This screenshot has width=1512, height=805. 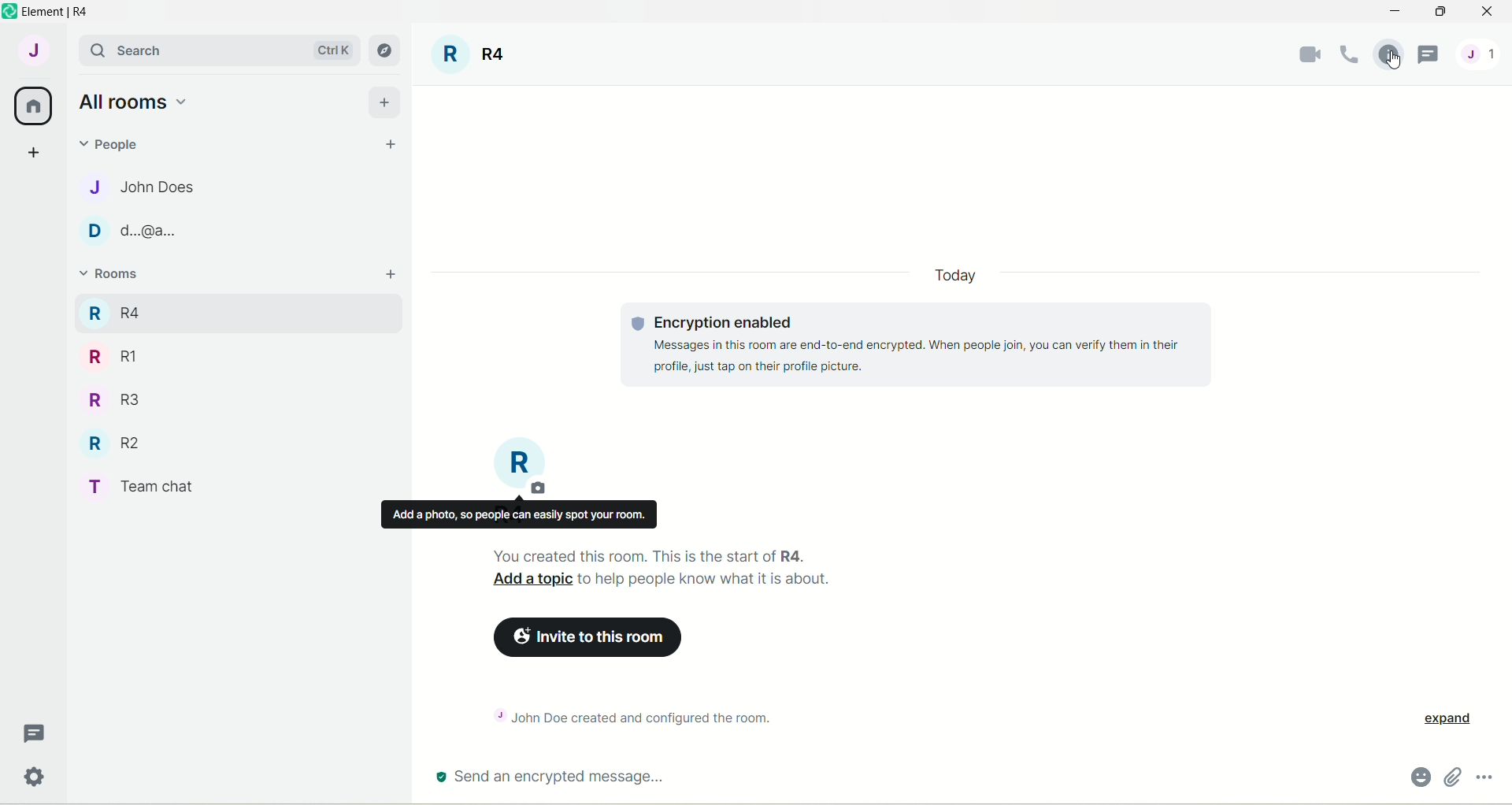 I want to click on element, so click(x=62, y=11).